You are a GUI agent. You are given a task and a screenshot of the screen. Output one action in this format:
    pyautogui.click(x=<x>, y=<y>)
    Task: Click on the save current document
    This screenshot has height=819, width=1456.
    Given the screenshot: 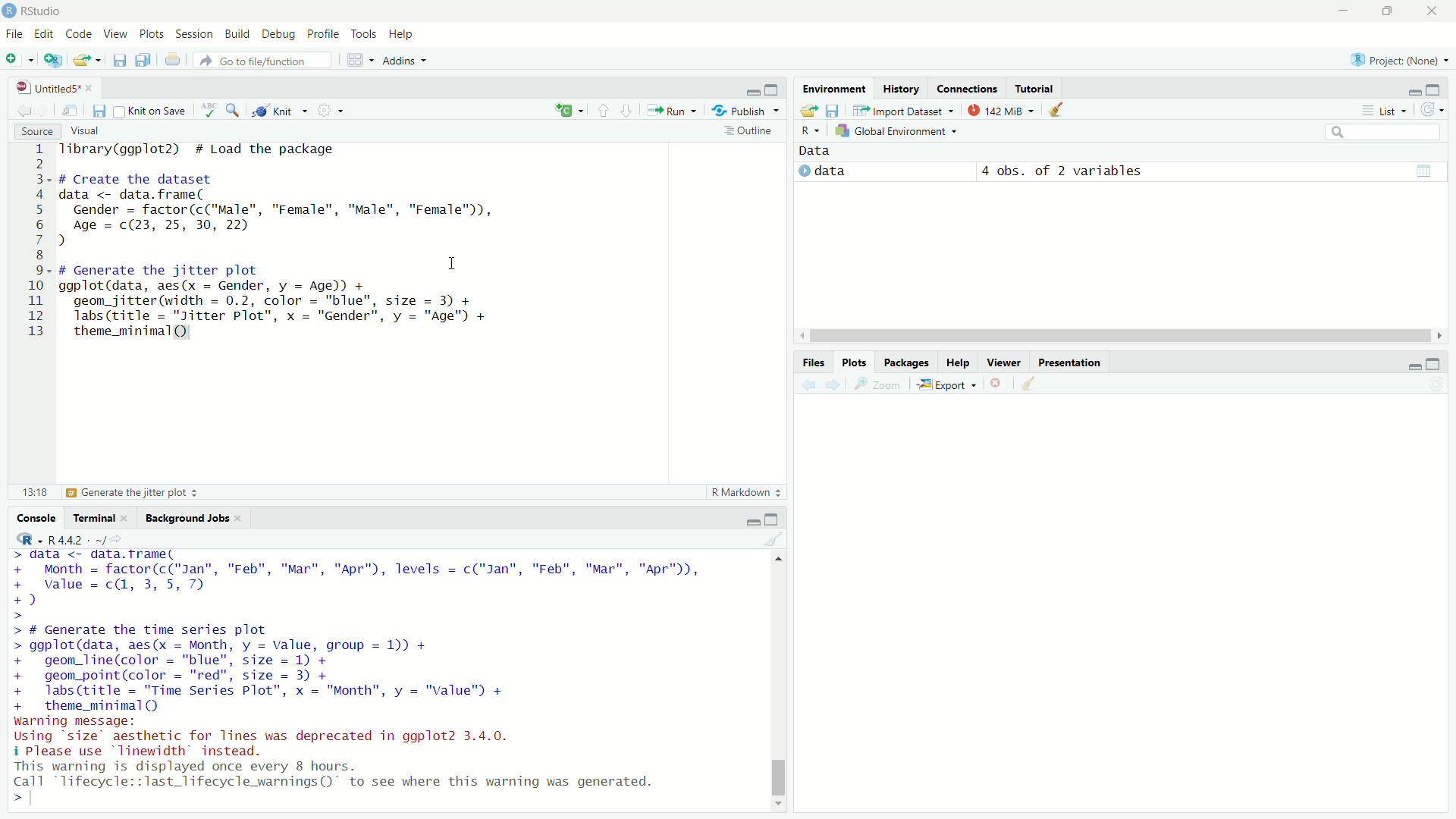 What is the action you would take?
    pyautogui.click(x=99, y=111)
    